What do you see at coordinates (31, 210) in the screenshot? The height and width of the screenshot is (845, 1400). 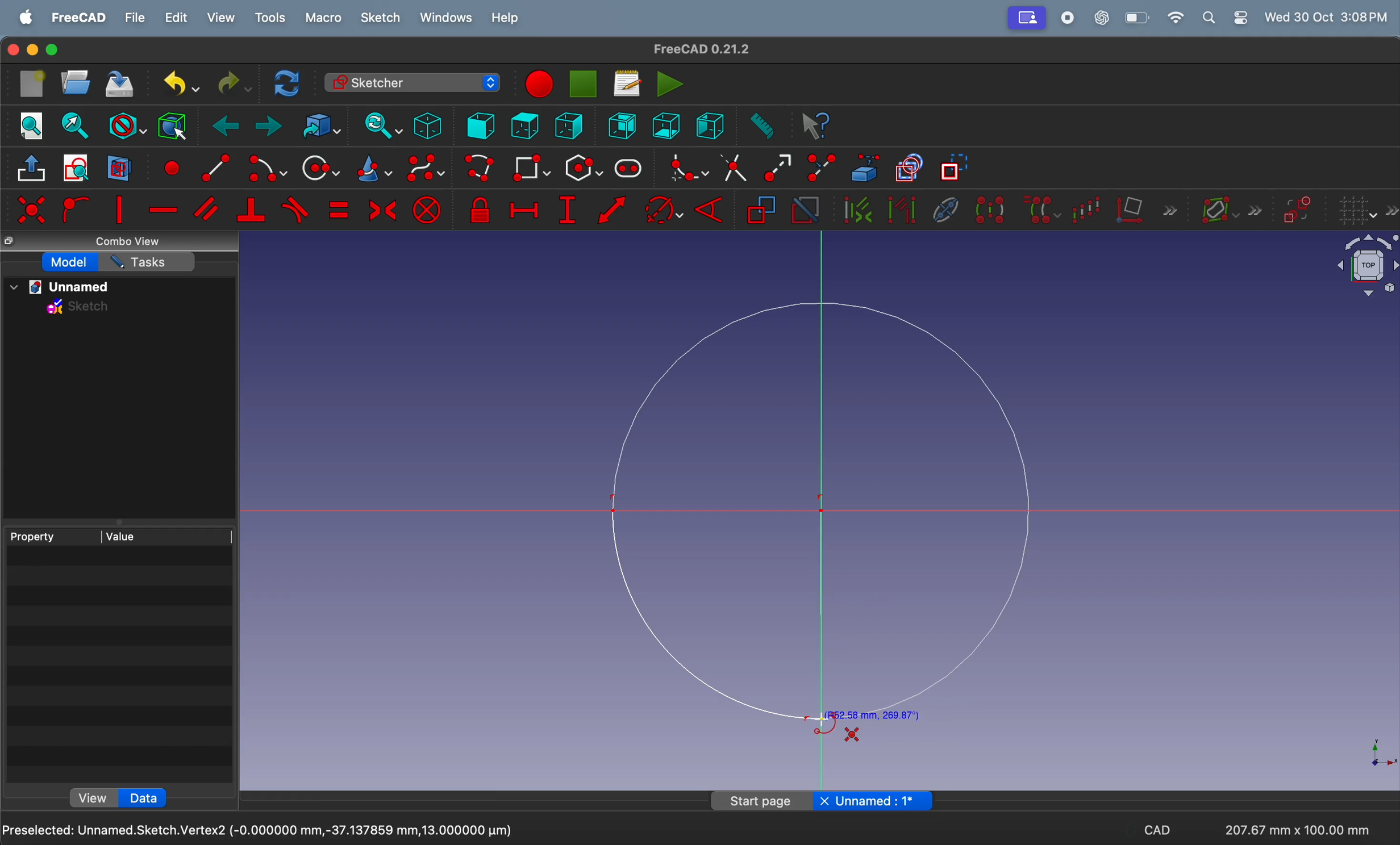 I see `constrain co incident` at bounding box center [31, 210].